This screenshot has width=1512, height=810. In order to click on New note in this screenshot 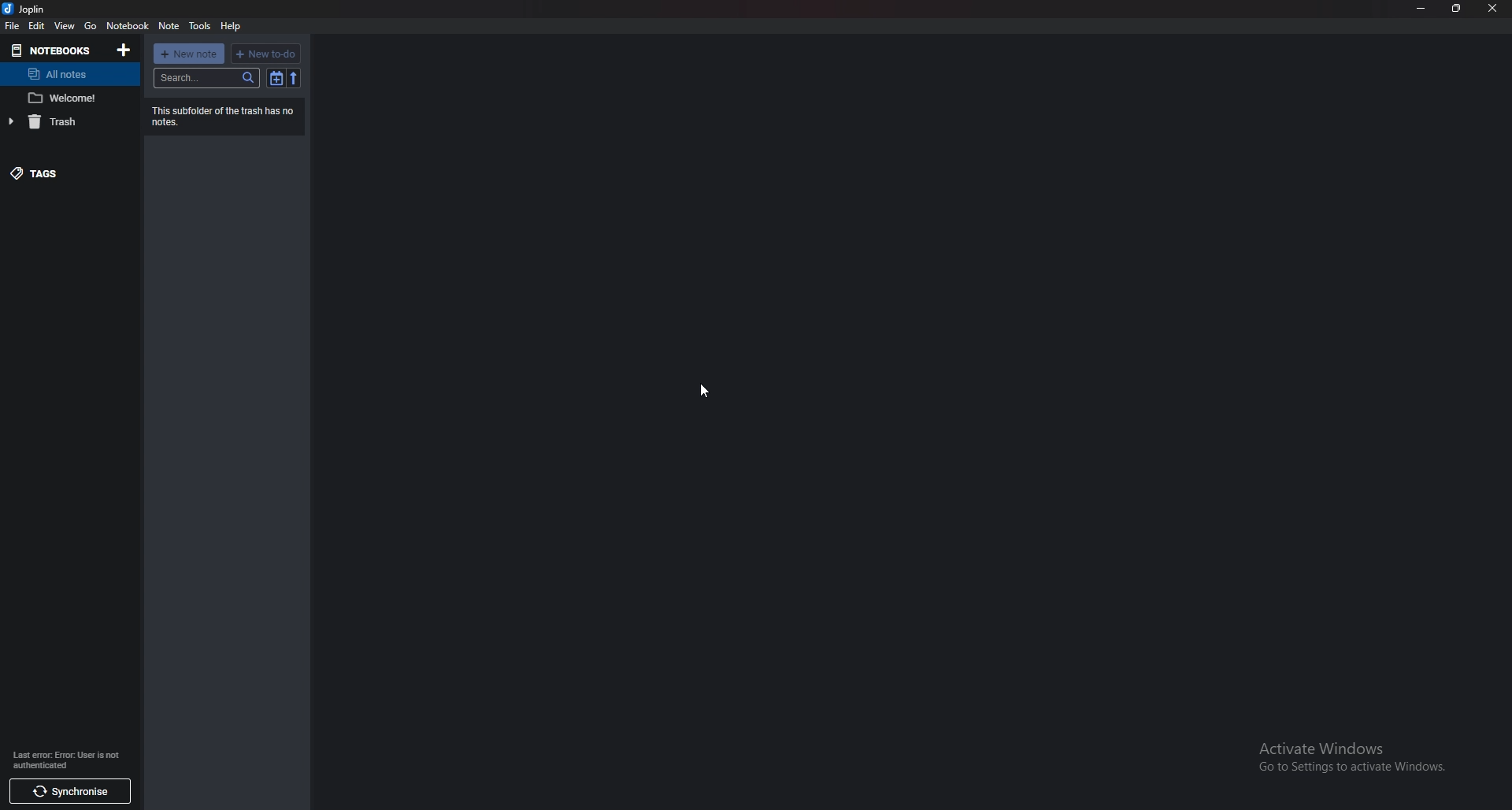, I will do `click(189, 54)`.